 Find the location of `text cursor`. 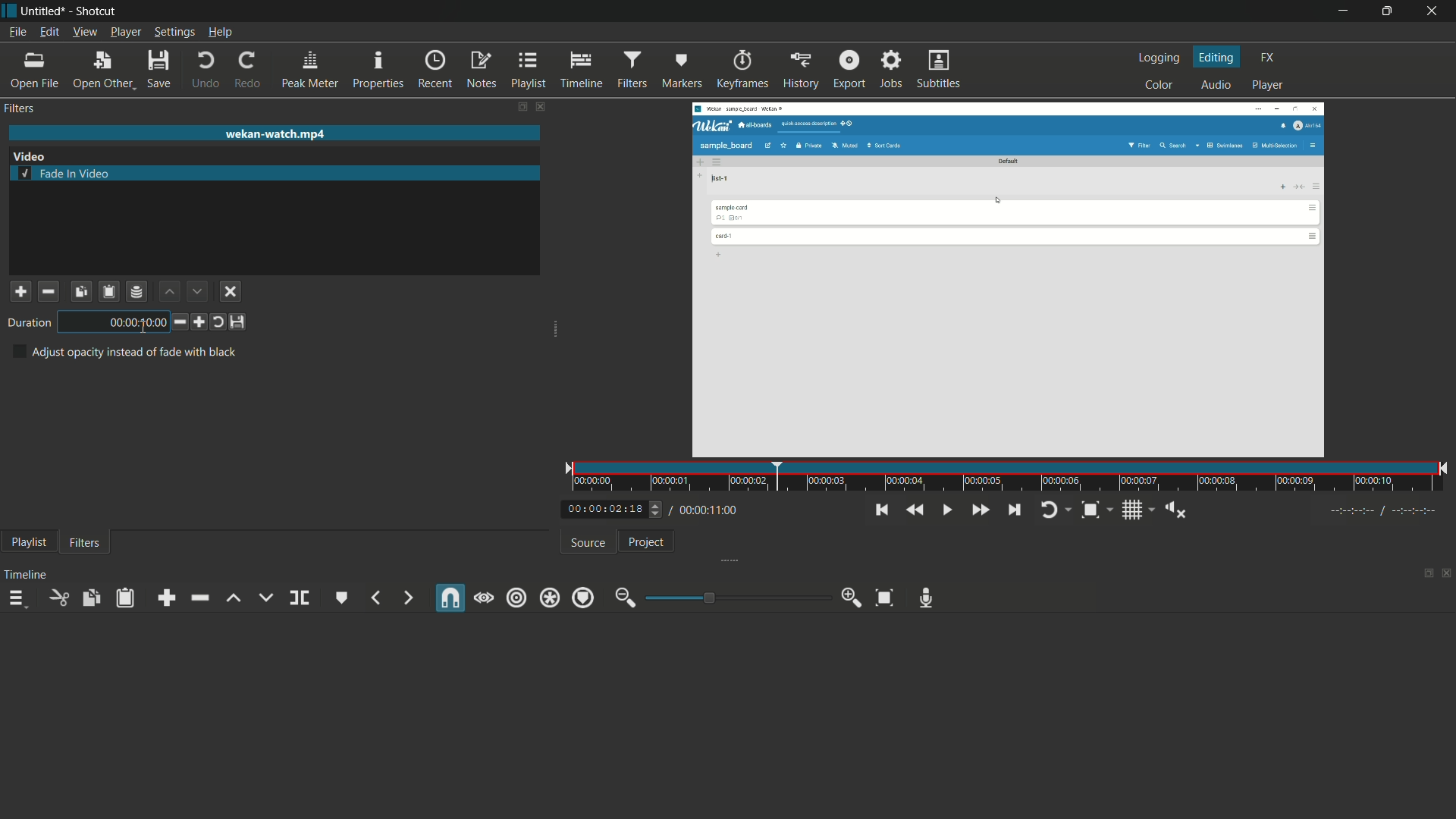

text cursor is located at coordinates (147, 323).